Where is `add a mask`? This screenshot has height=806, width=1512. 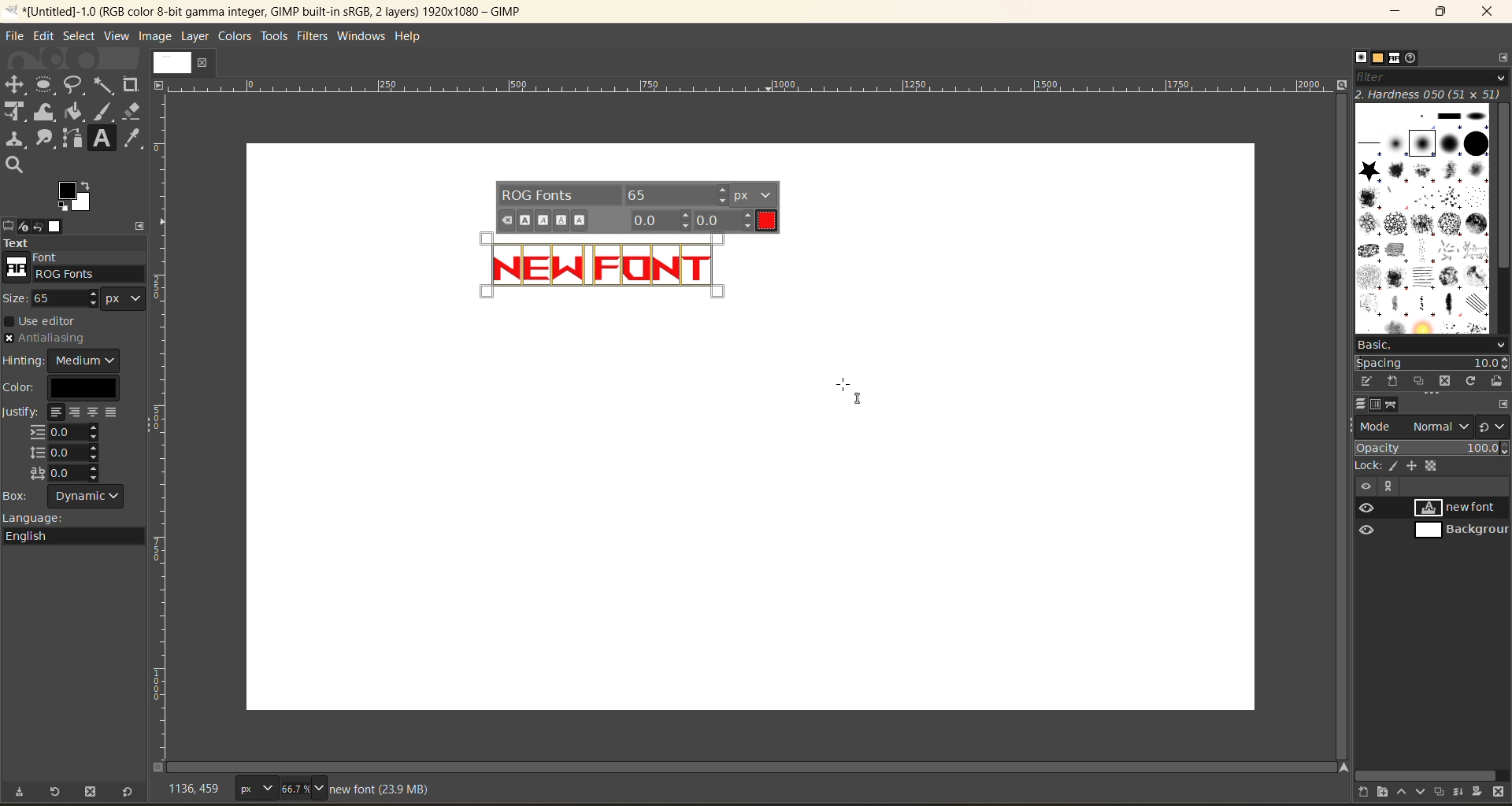 add a mask is located at coordinates (1479, 790).